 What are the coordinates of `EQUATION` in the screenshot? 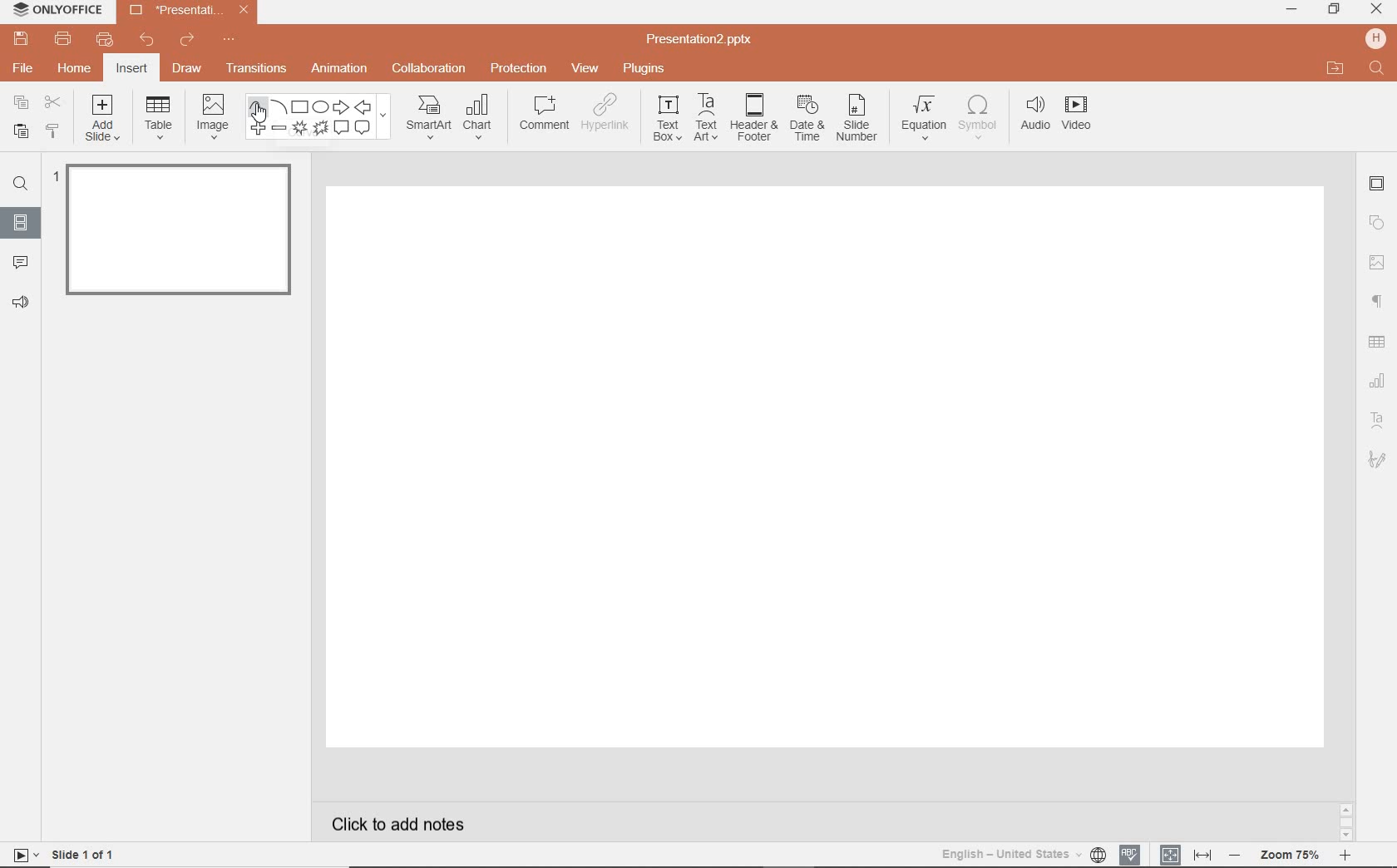 It's located at (924, 116).